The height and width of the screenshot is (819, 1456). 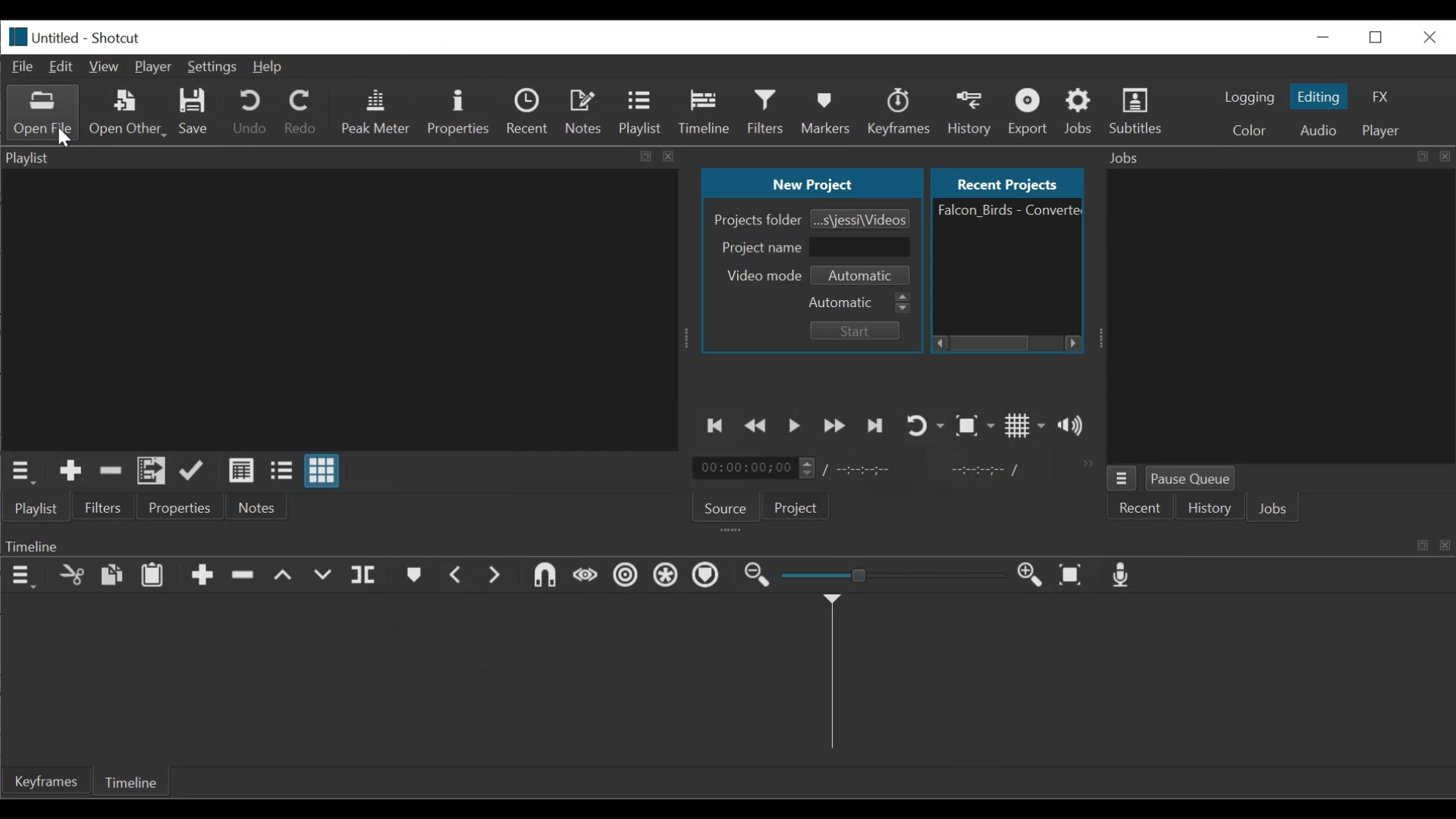 What do you see at coordinates (852, 332) in the screenshot?
I see `Start Button` at bounding box center [852, 332].